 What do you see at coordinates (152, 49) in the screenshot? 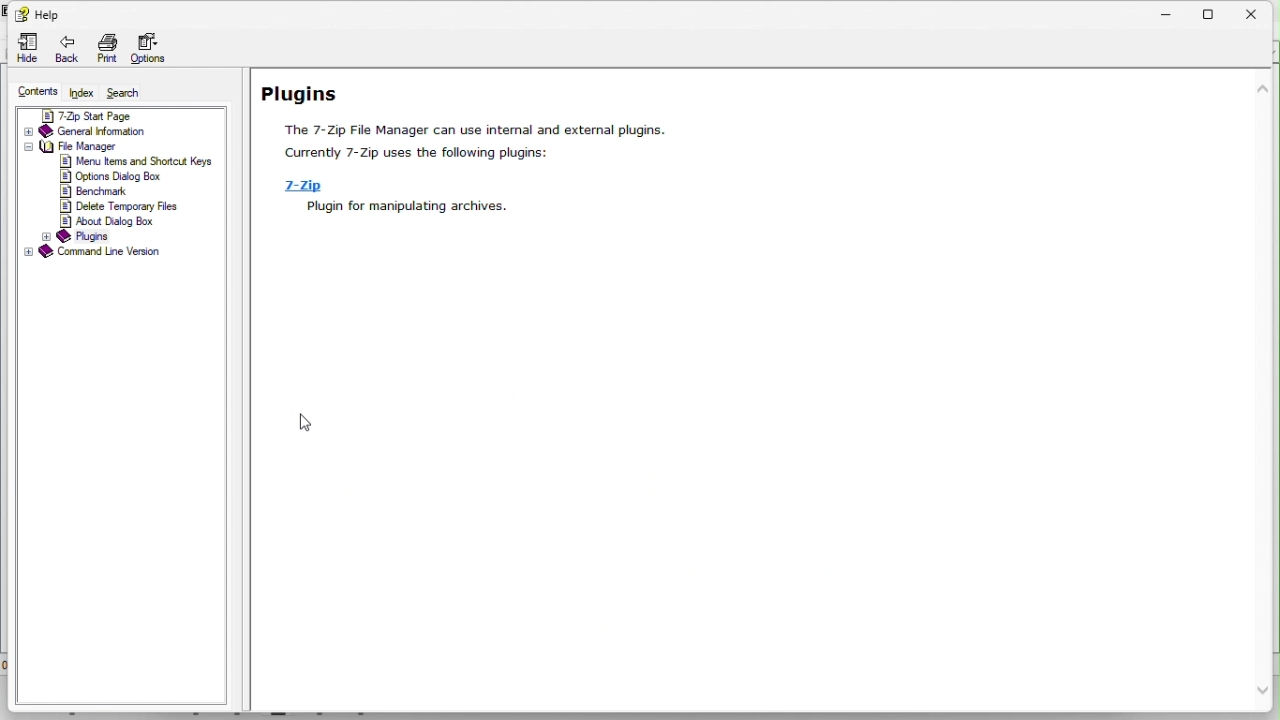
I see `Options` at bounding box center [152, 49].